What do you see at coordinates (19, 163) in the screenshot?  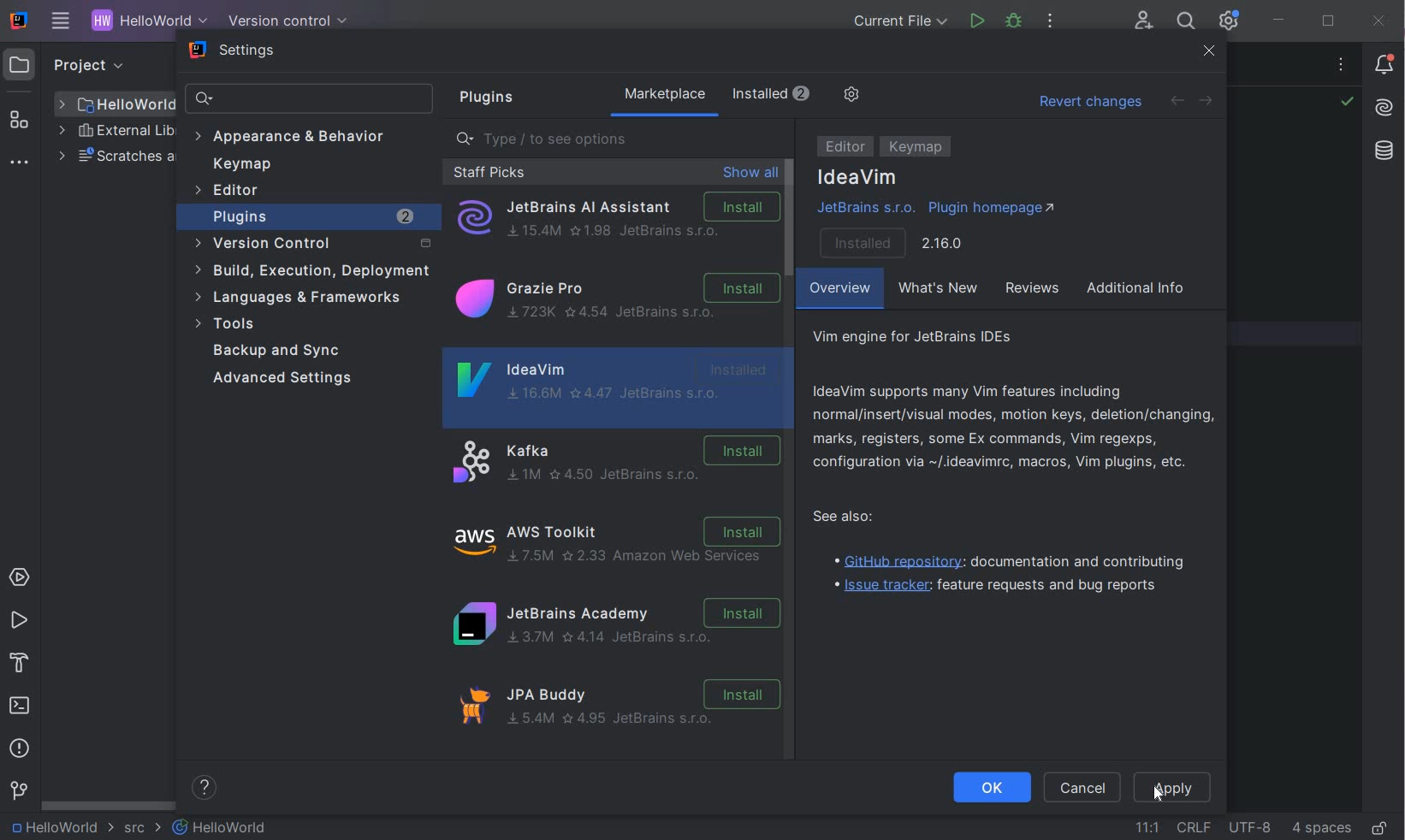 I see `MORE TOOL WINDOWS` at bounding box center [19, 163].